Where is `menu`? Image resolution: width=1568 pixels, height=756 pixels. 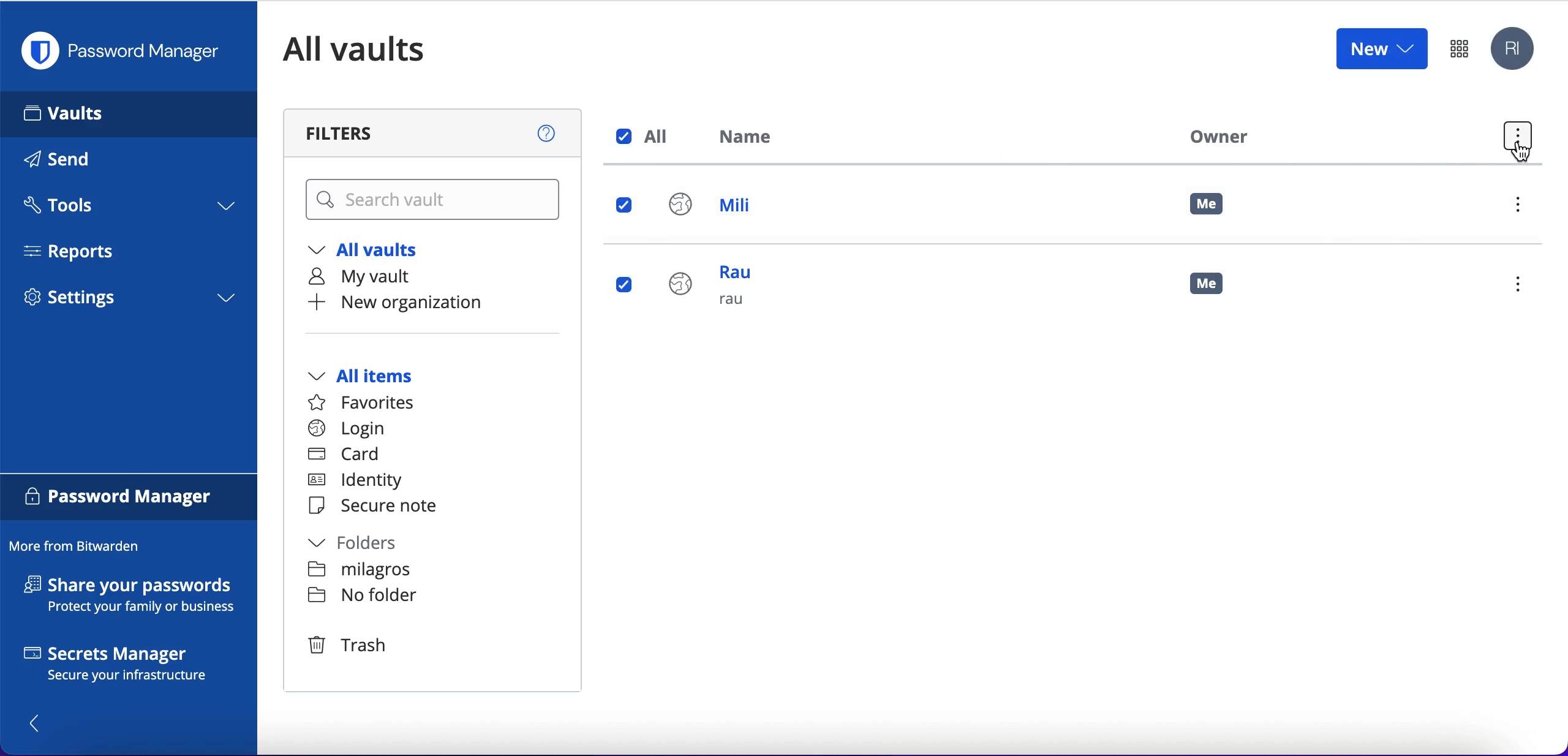 menu is located at coordinates (1523, 286).